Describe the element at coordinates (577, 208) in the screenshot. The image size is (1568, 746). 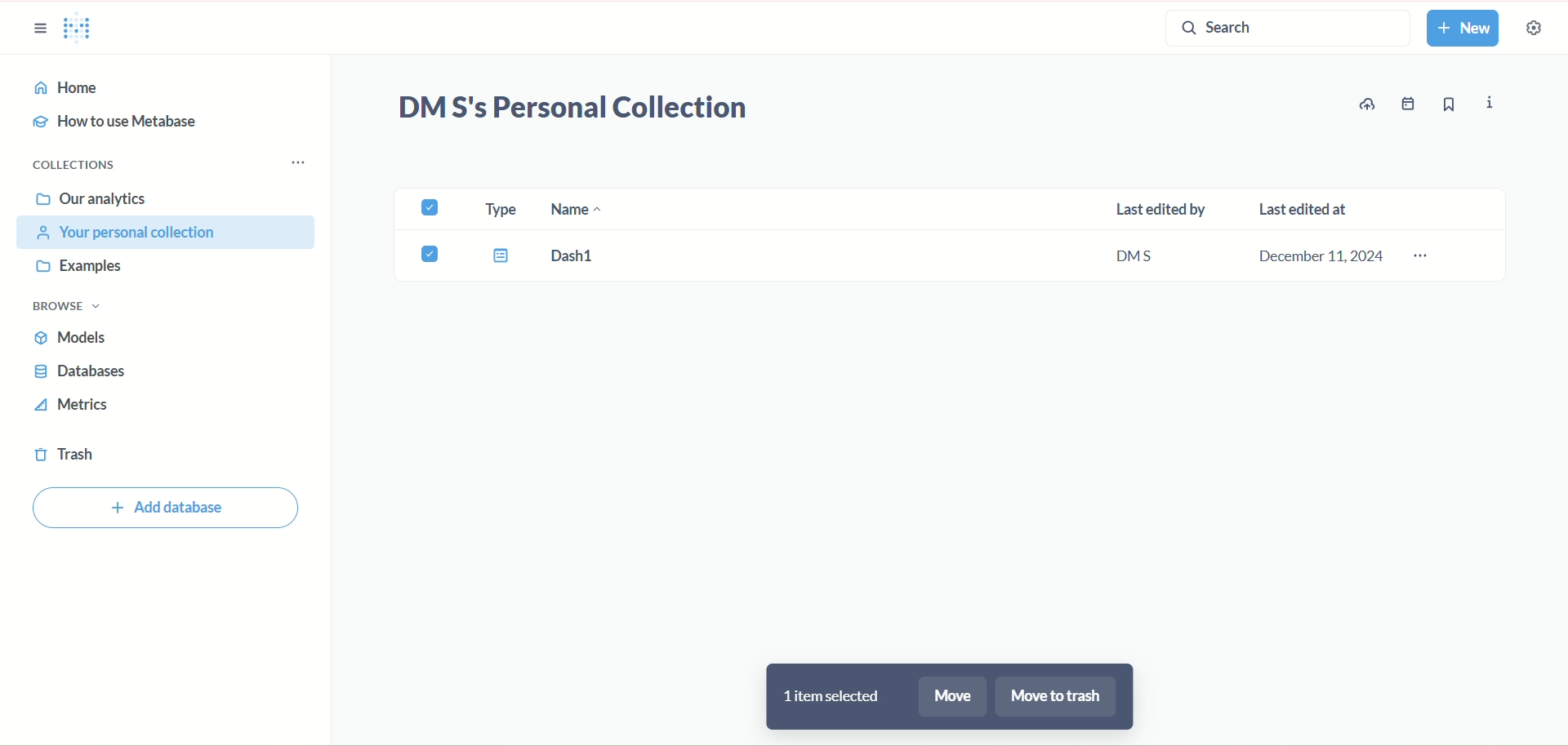
I see `name` at that location.